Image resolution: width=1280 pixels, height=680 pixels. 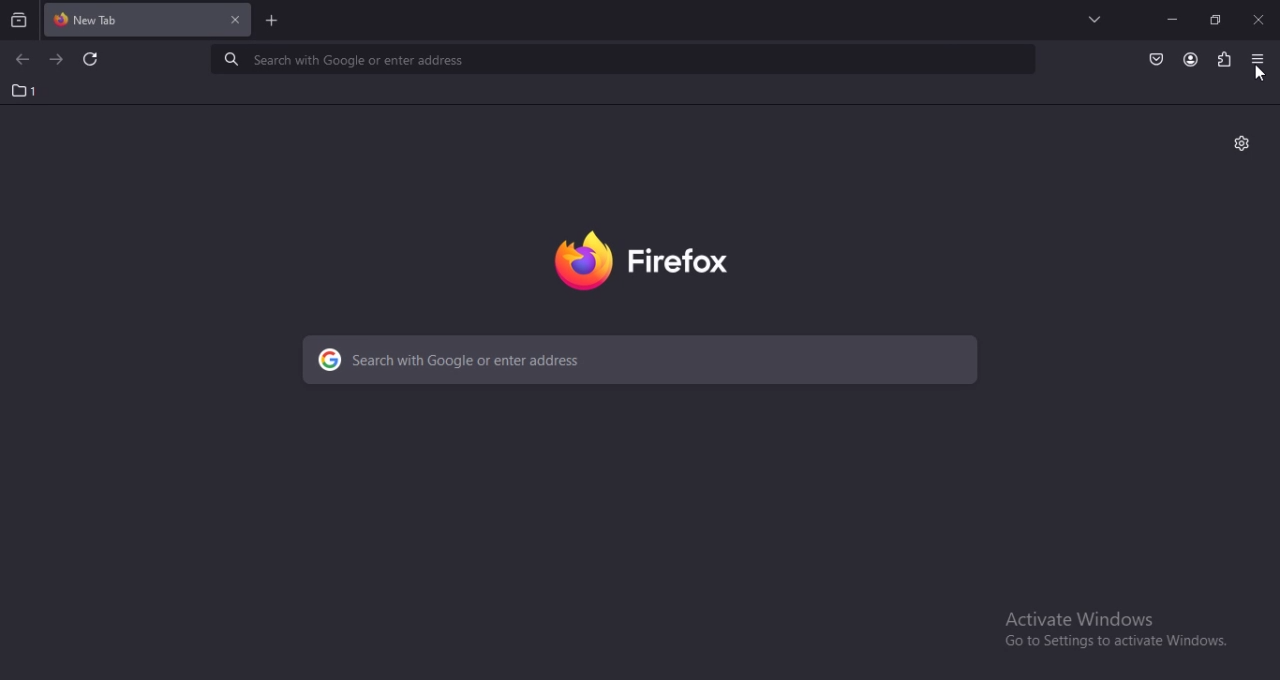 What do you see at coordinates (56, 59) in the screenshot?
I see `go forward one page` at bounding box center [56, 59].